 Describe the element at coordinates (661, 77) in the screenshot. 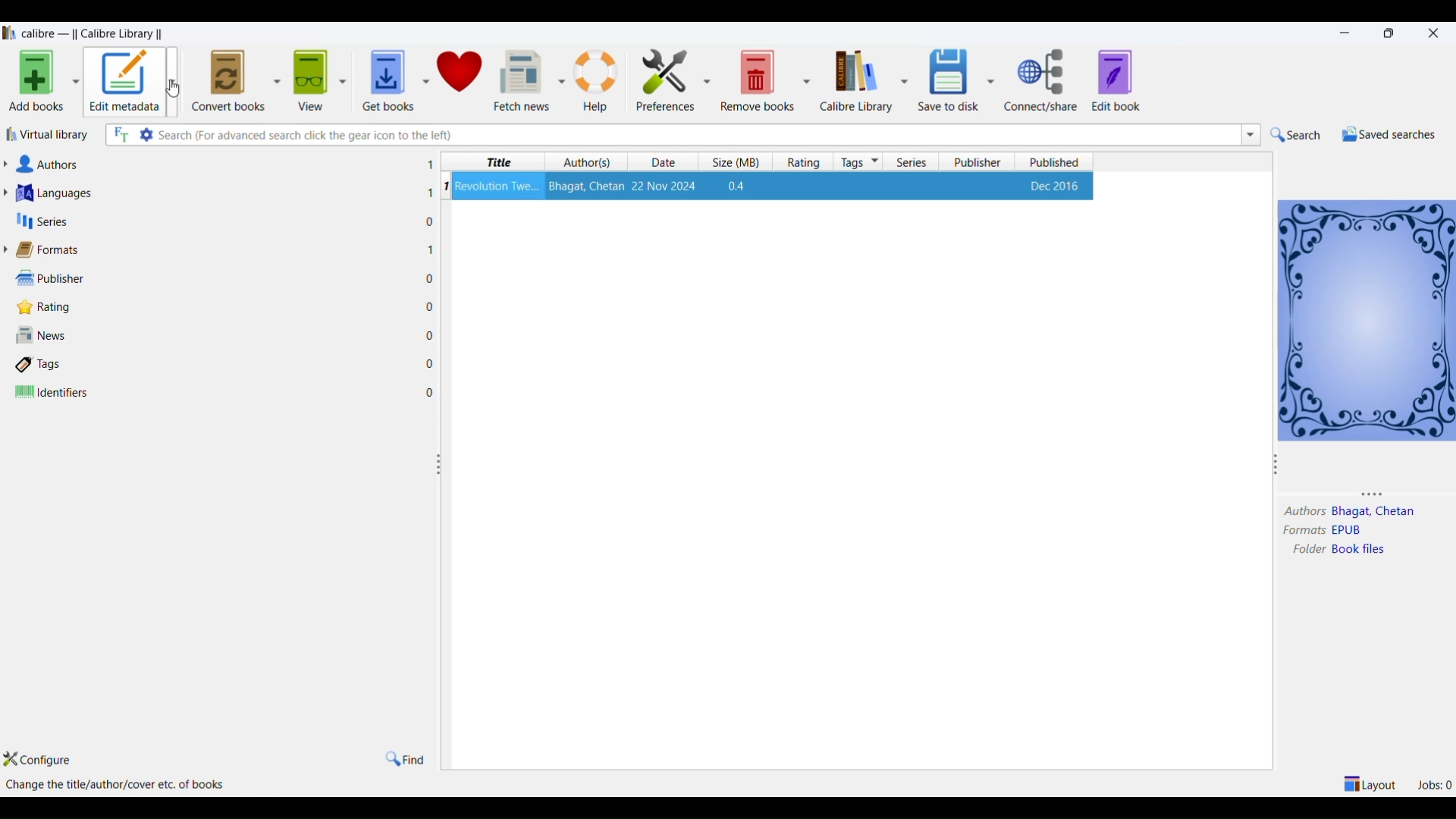

I see `preferences` at that location.